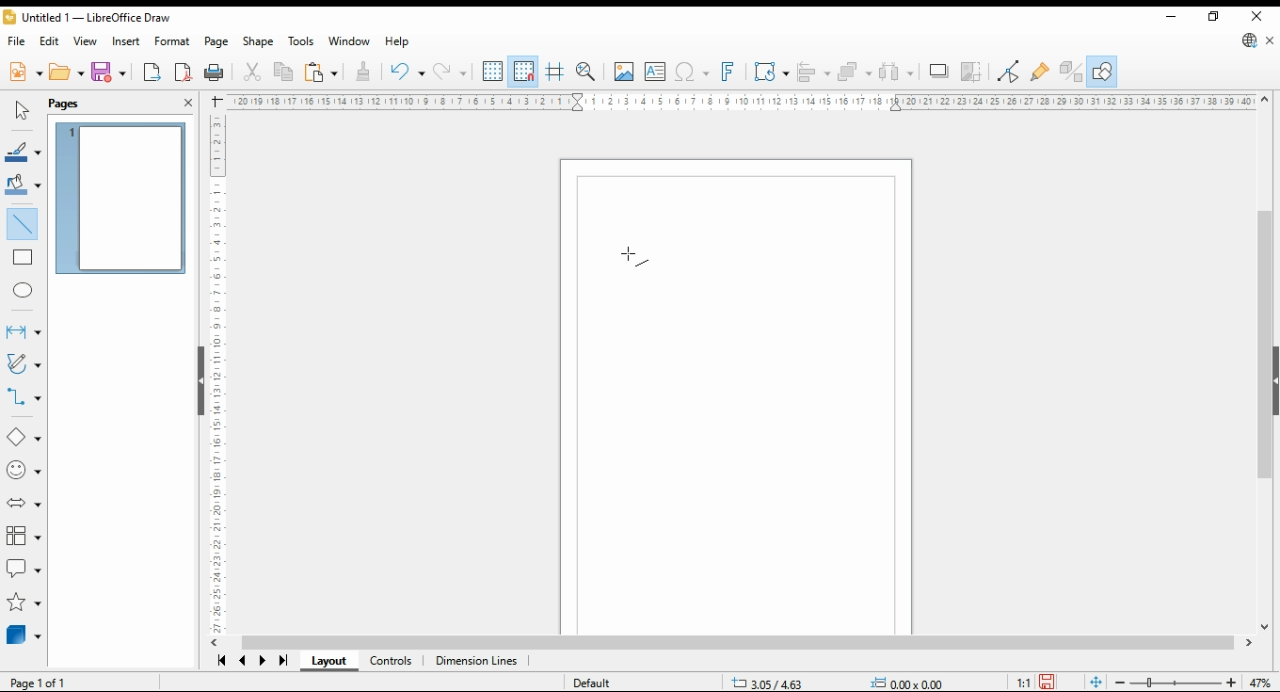  I want to click on zoom slider, so click(1176, 682).